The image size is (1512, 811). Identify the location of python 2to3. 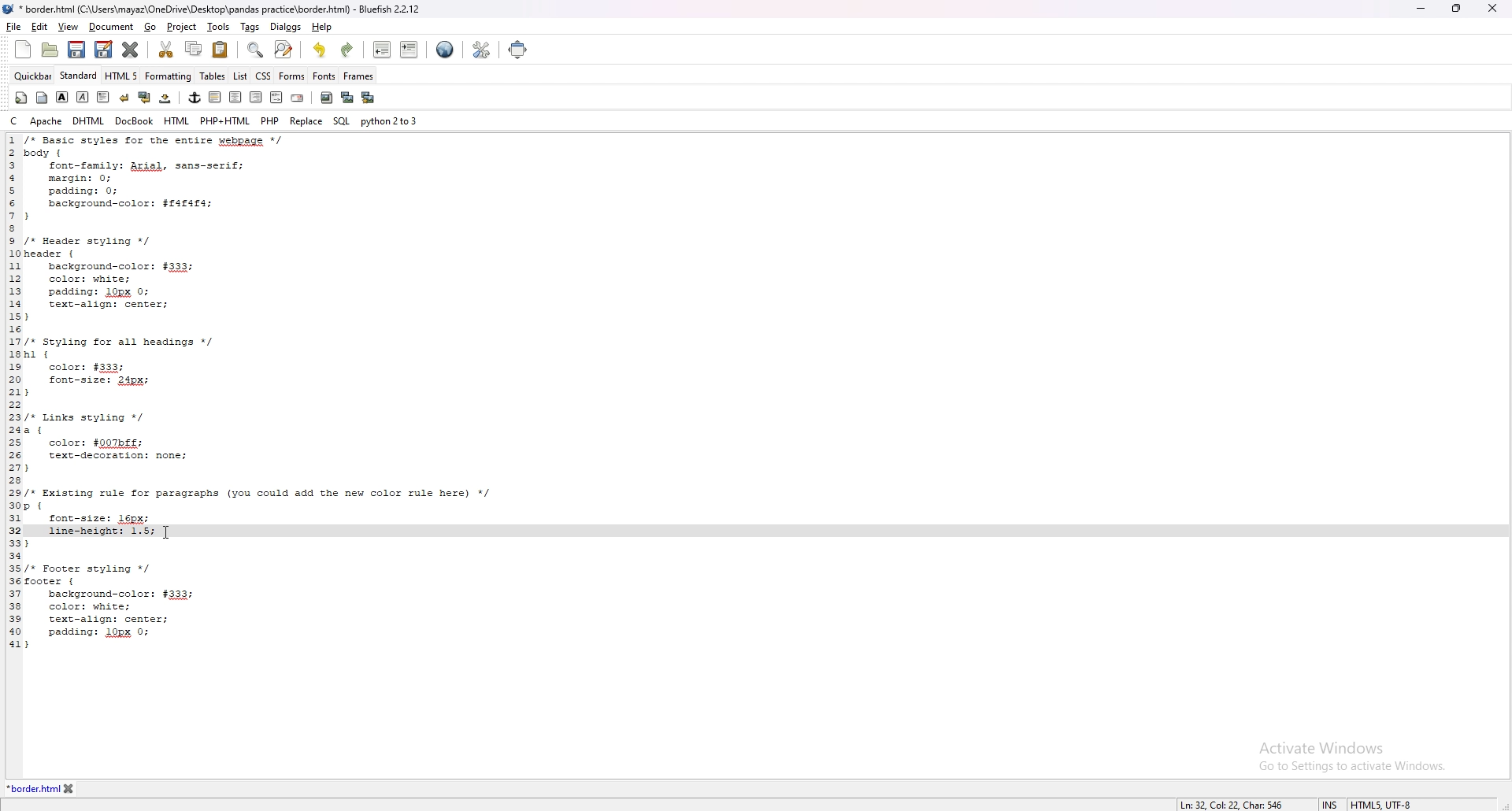
(390, 121).